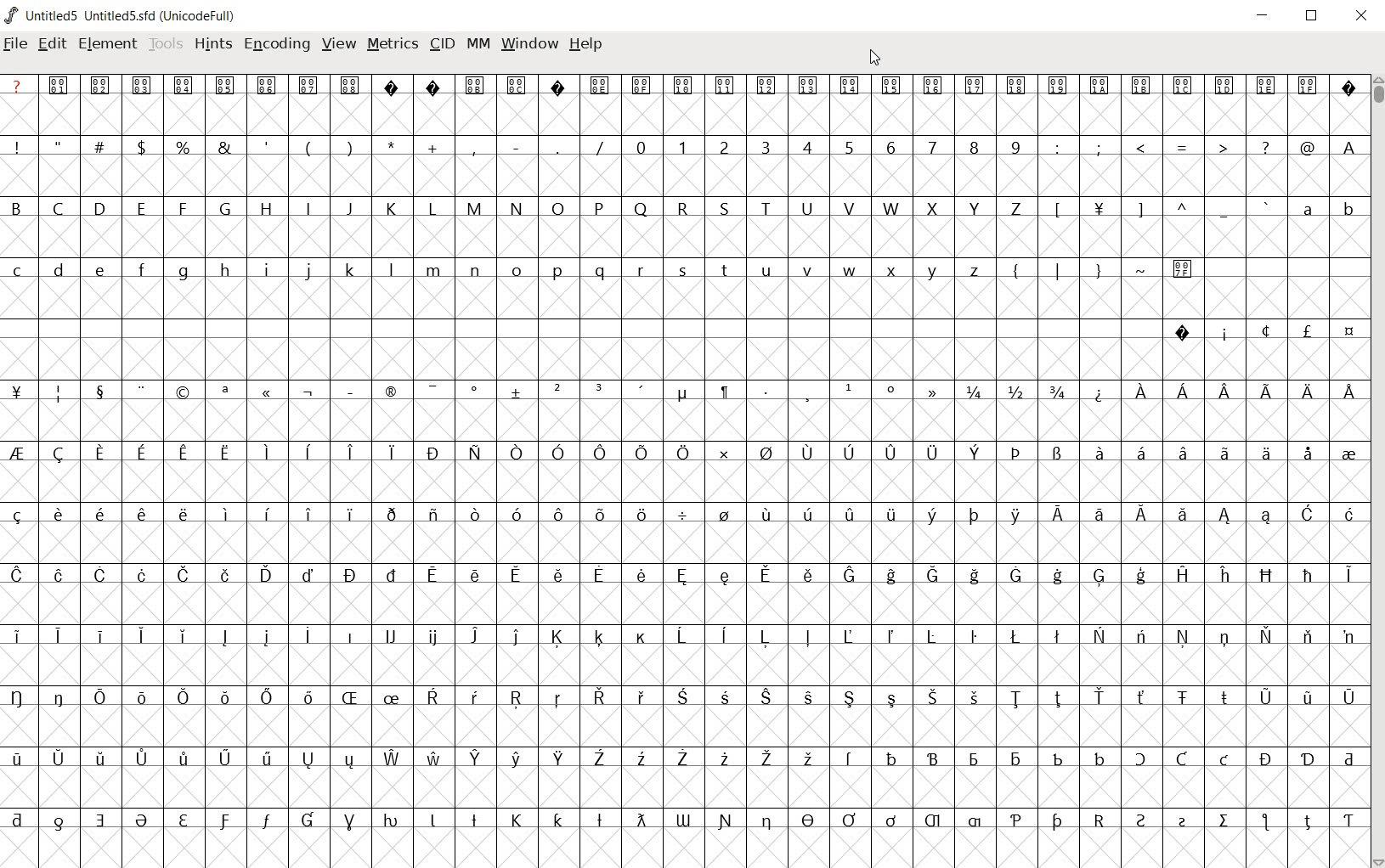  I want to click on HINTS, so click(213, 45).